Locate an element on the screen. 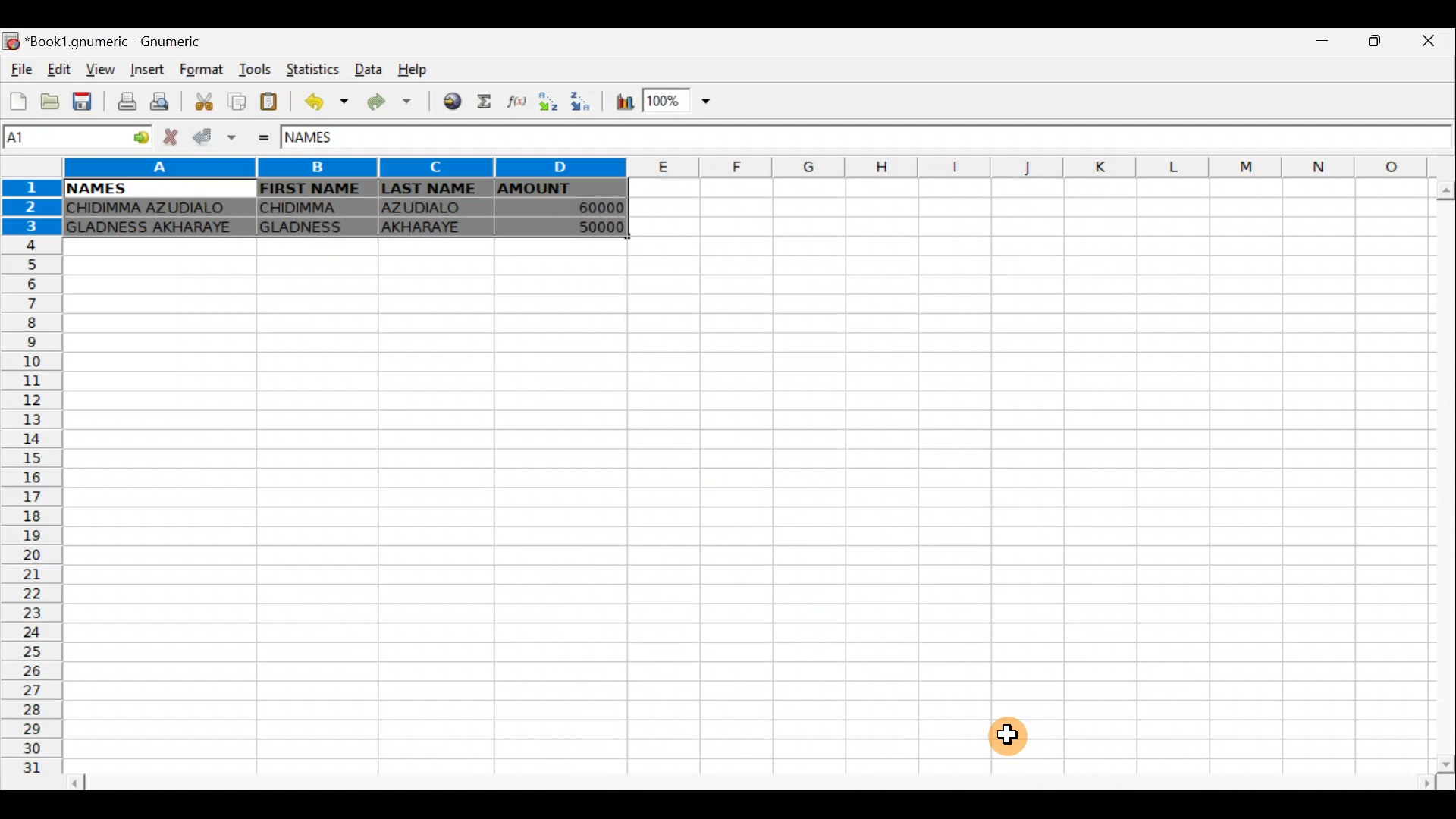 Image resolution: width=1456 pixels, height=819 pixels. Minimize is located at coordinates (1323, 45).